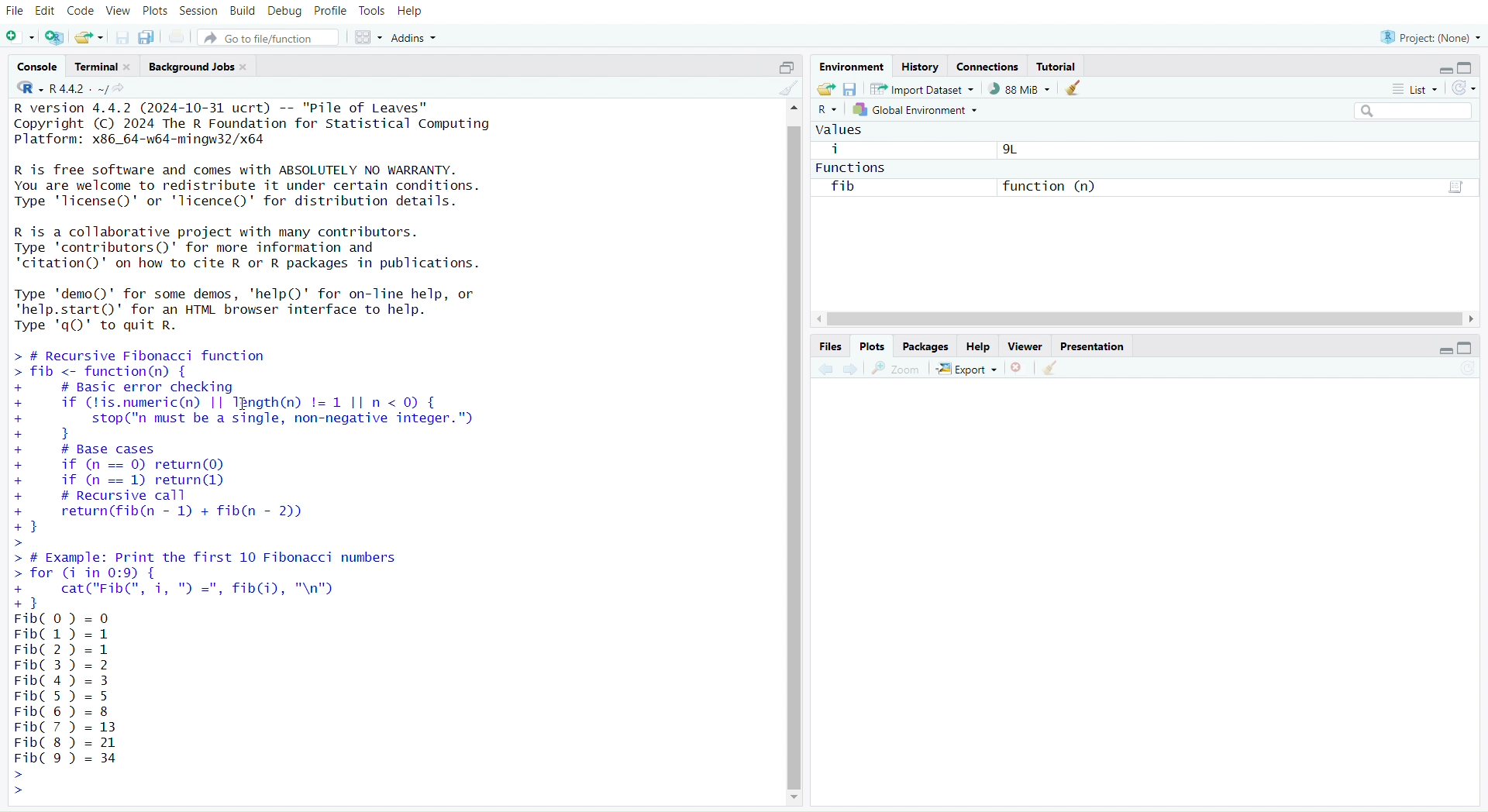  Describe the element at coordinates (1059, 67) in the screenshot. I see `tutorial` at that location.